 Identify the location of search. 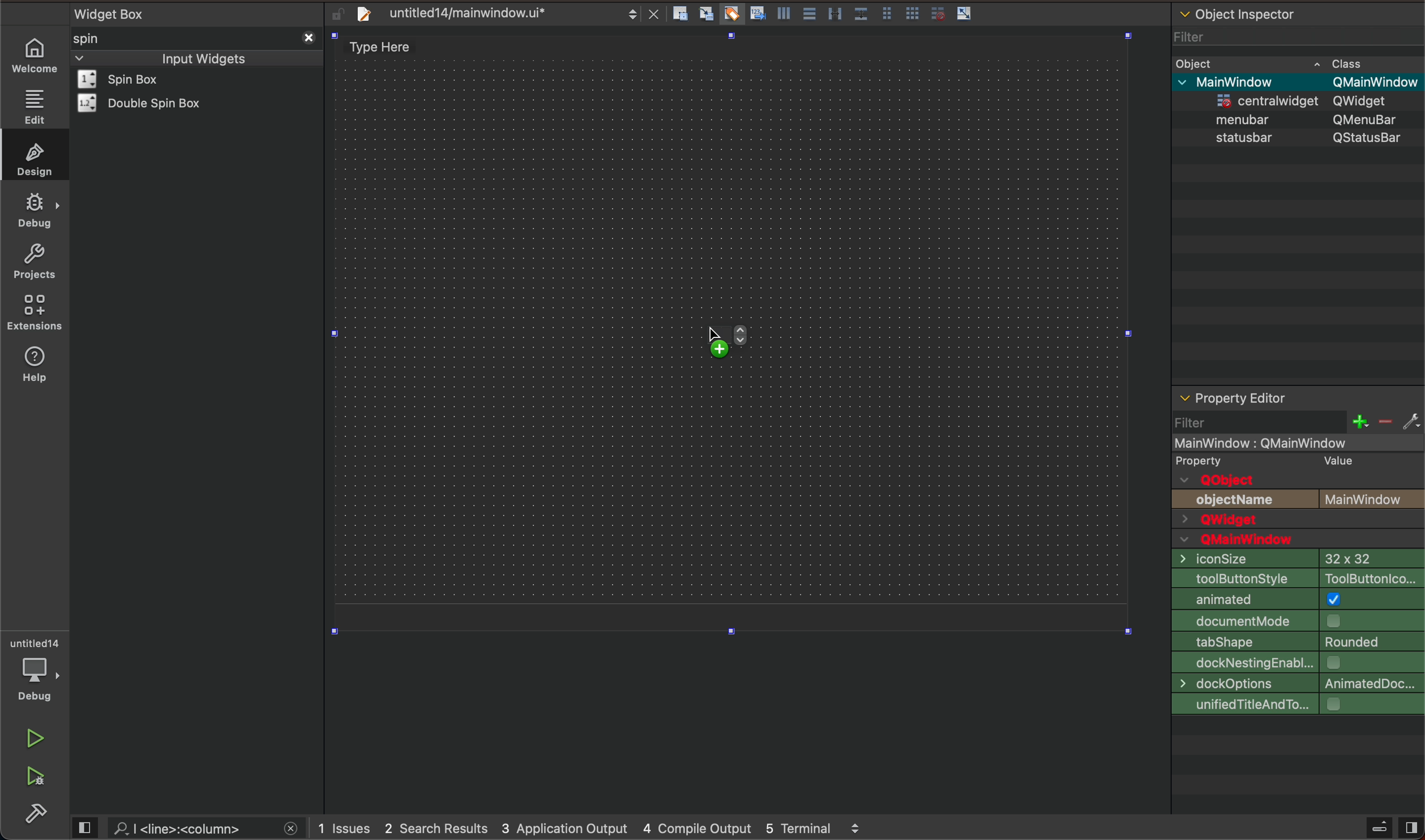
(191, 828).